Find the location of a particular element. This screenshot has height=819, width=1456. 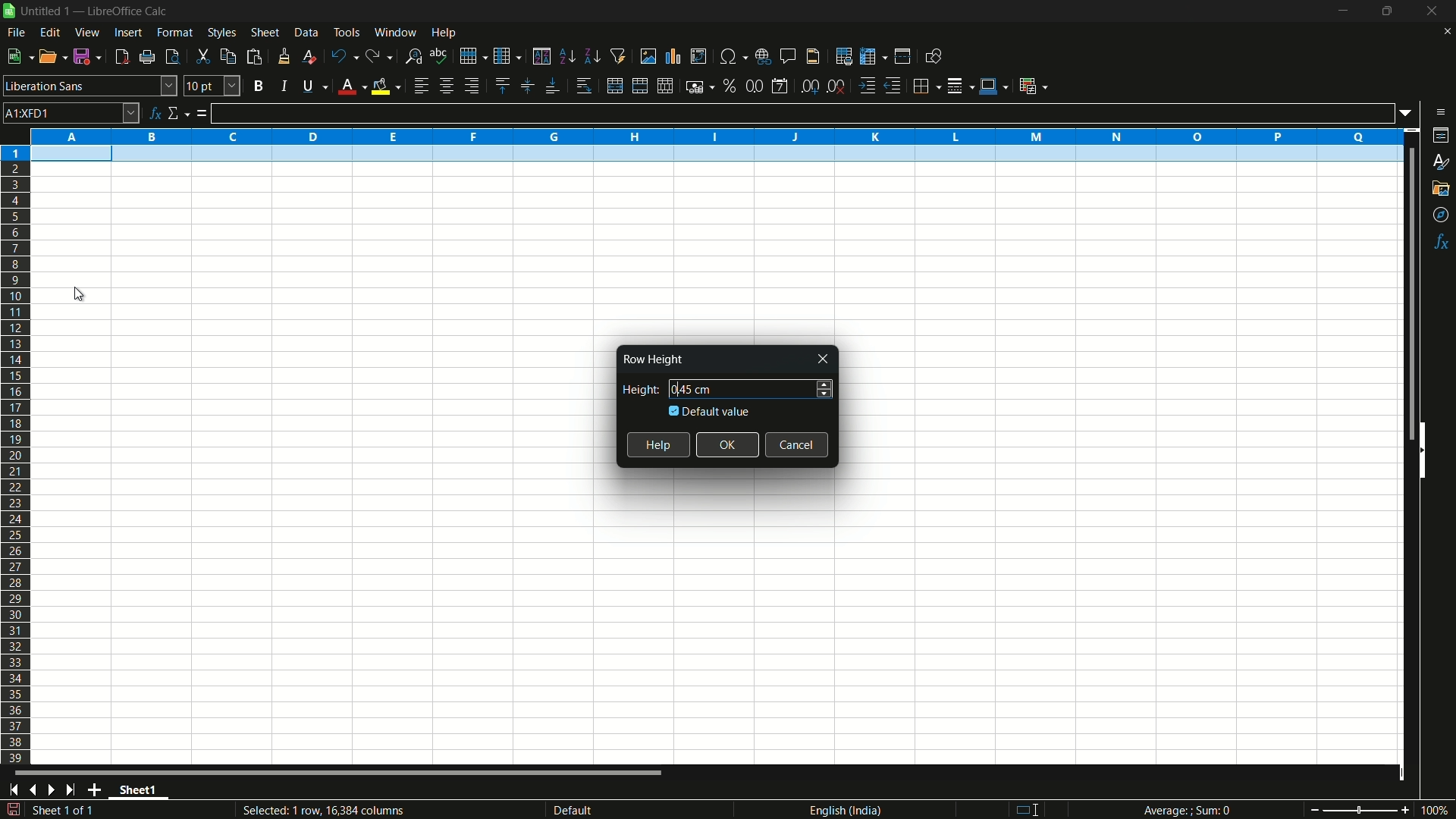

language english(india) is located at coordinates (841, 810).